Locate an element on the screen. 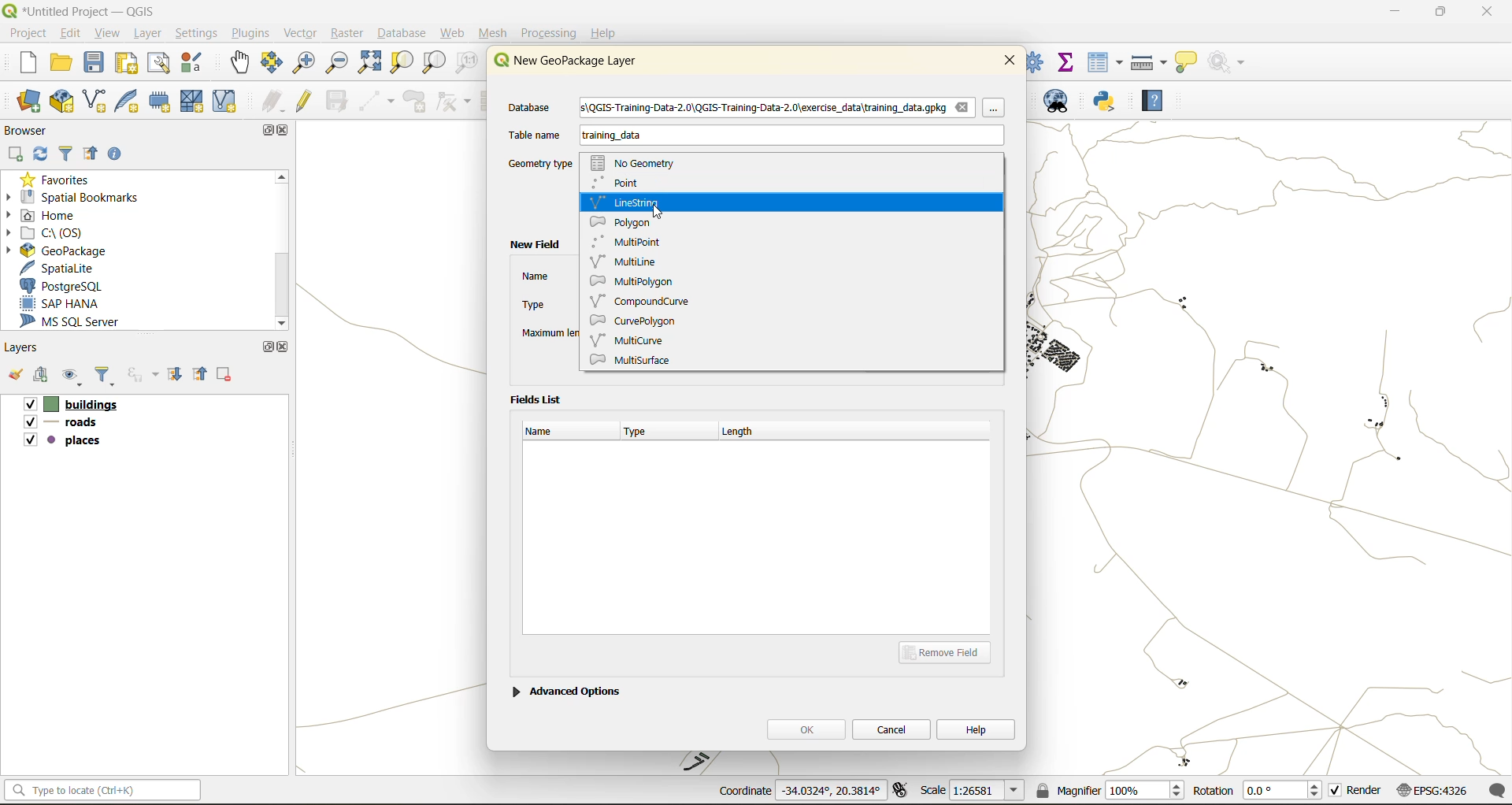 The height and width of the screenshot is (805, 1512). name is located at coordinates (547, 431).